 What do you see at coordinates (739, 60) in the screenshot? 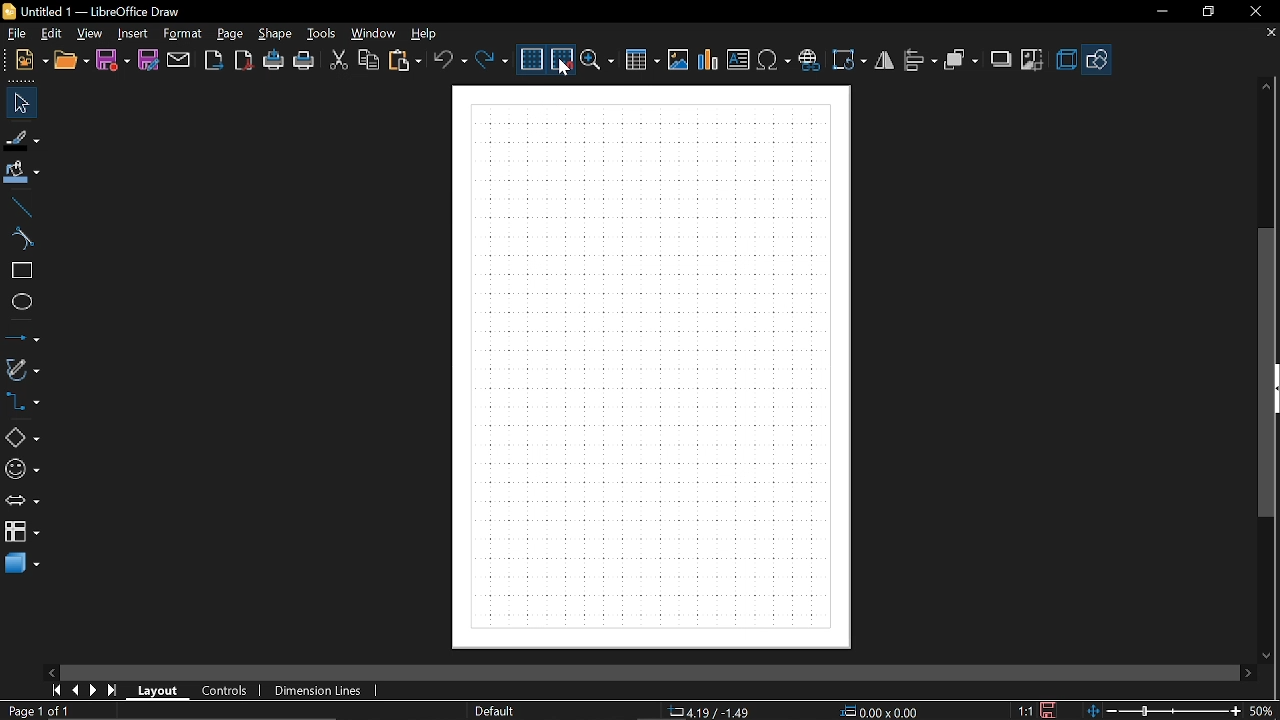
I see ` text` at bounding box center [739, 60].